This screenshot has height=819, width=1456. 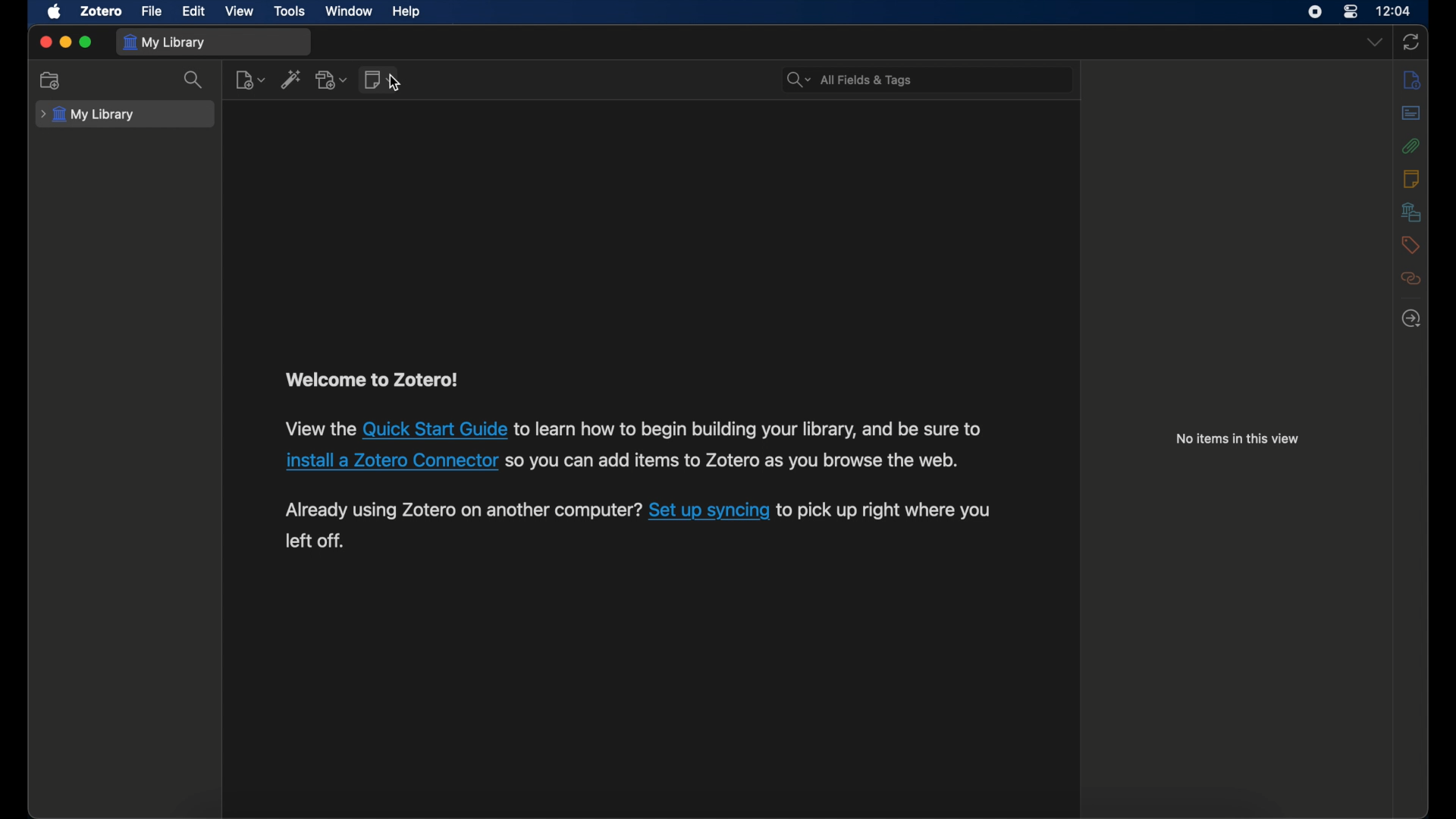 I want to click on view, so click(x=240, y=12).